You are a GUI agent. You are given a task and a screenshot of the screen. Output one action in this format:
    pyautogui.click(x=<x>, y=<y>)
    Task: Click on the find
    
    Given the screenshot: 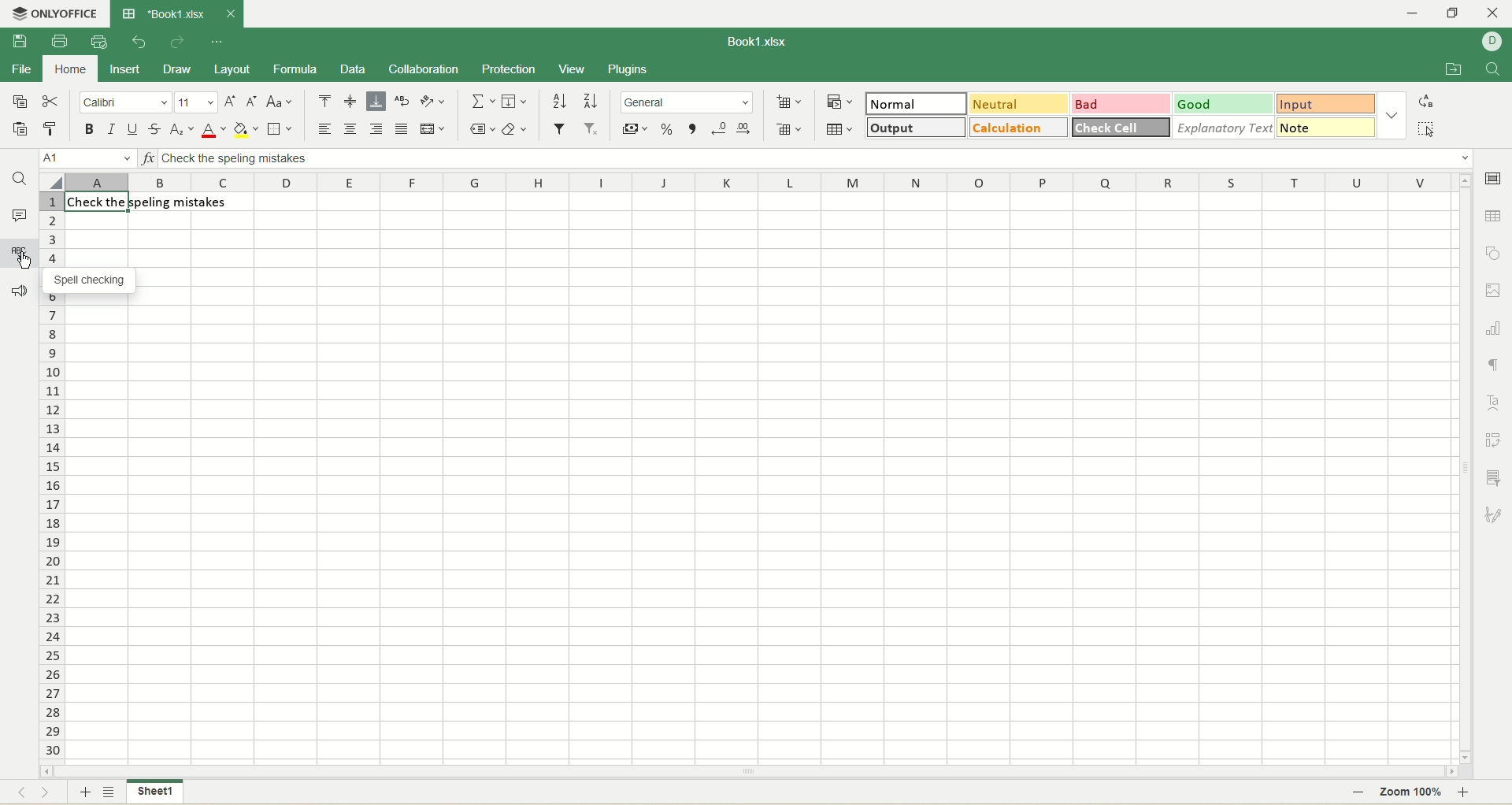 What is the action you would take?
    pyautogui.click(x=21, y=176)
    